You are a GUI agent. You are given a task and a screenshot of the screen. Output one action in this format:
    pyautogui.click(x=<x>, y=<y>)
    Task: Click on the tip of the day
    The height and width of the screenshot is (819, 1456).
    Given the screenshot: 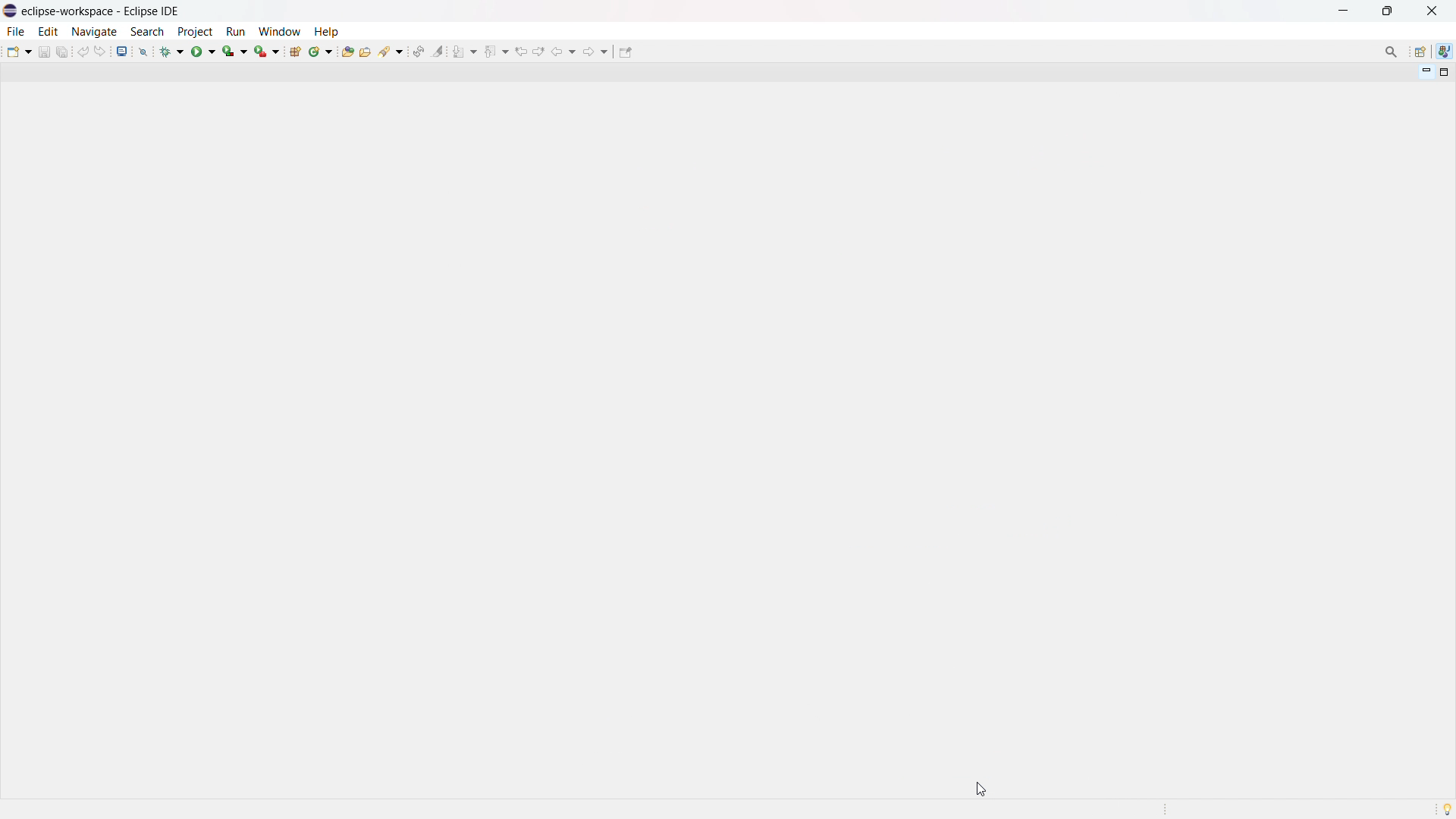 What is the action you would take?
    pyautogui.click(x=1447, y=808)
    